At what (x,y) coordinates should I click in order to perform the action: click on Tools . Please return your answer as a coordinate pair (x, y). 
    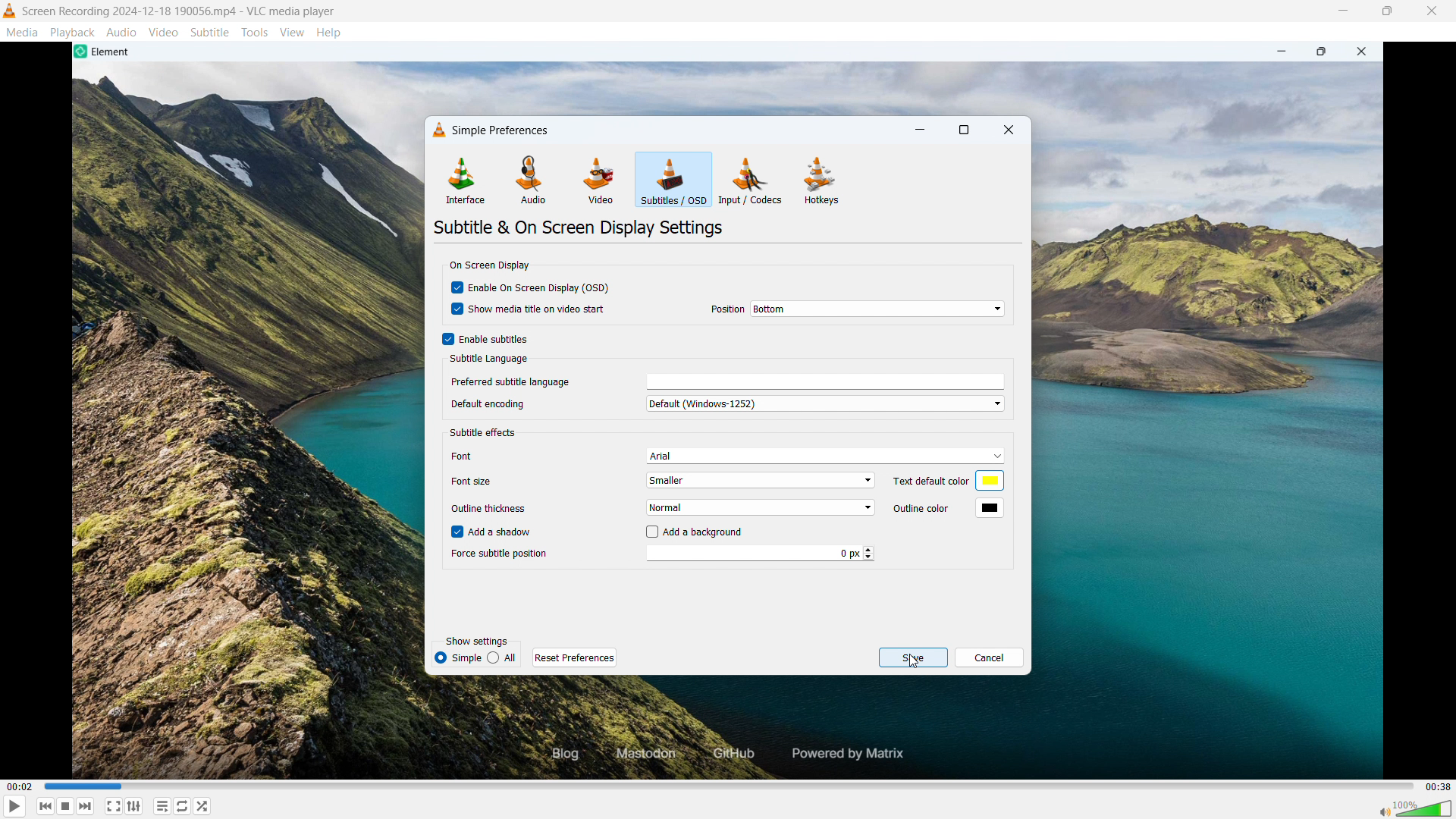
    Looking at the image, I should click on (255, 32).